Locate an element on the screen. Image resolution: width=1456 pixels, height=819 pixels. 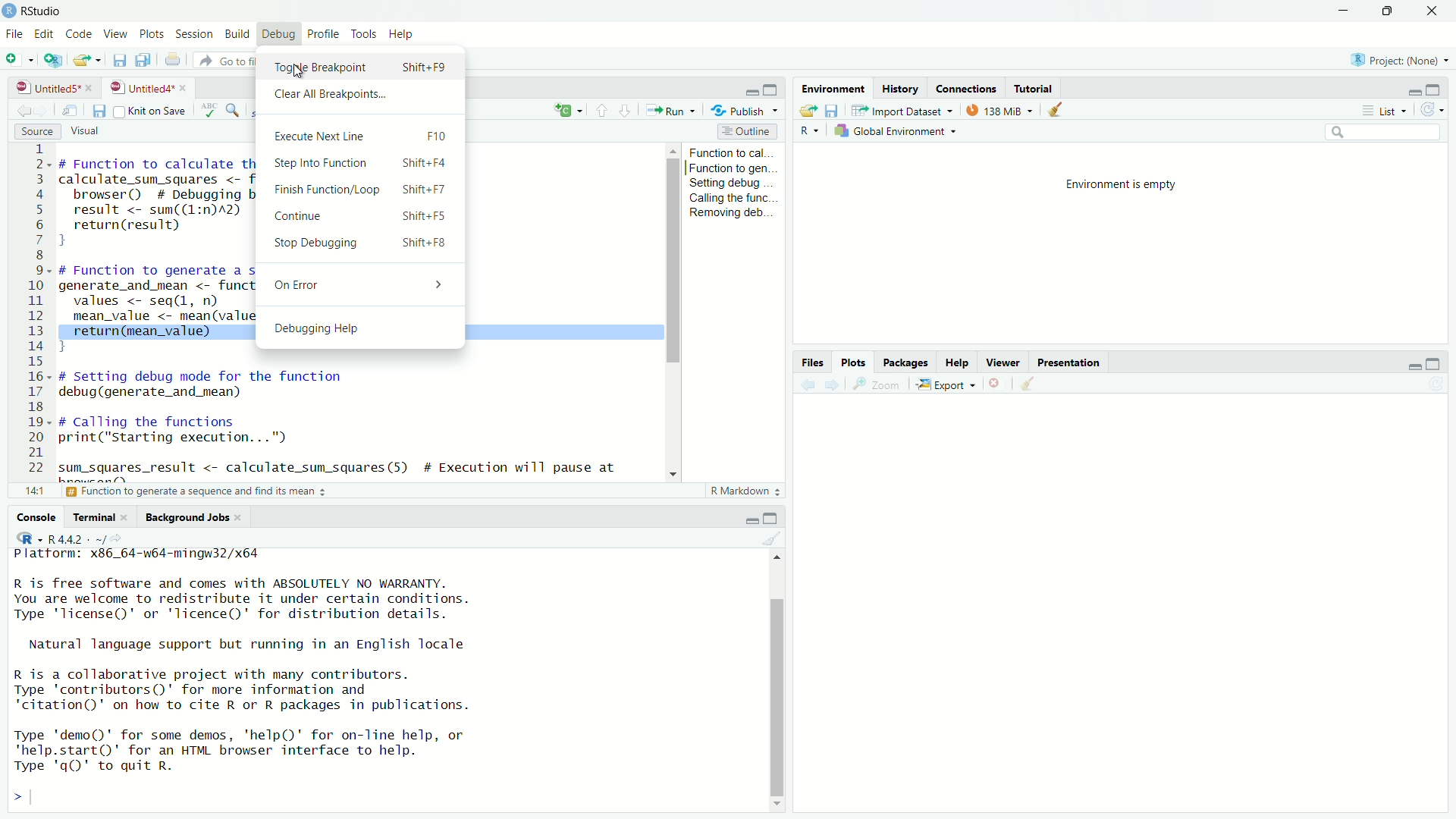
code to get the result is located at coordinates (347, 468).